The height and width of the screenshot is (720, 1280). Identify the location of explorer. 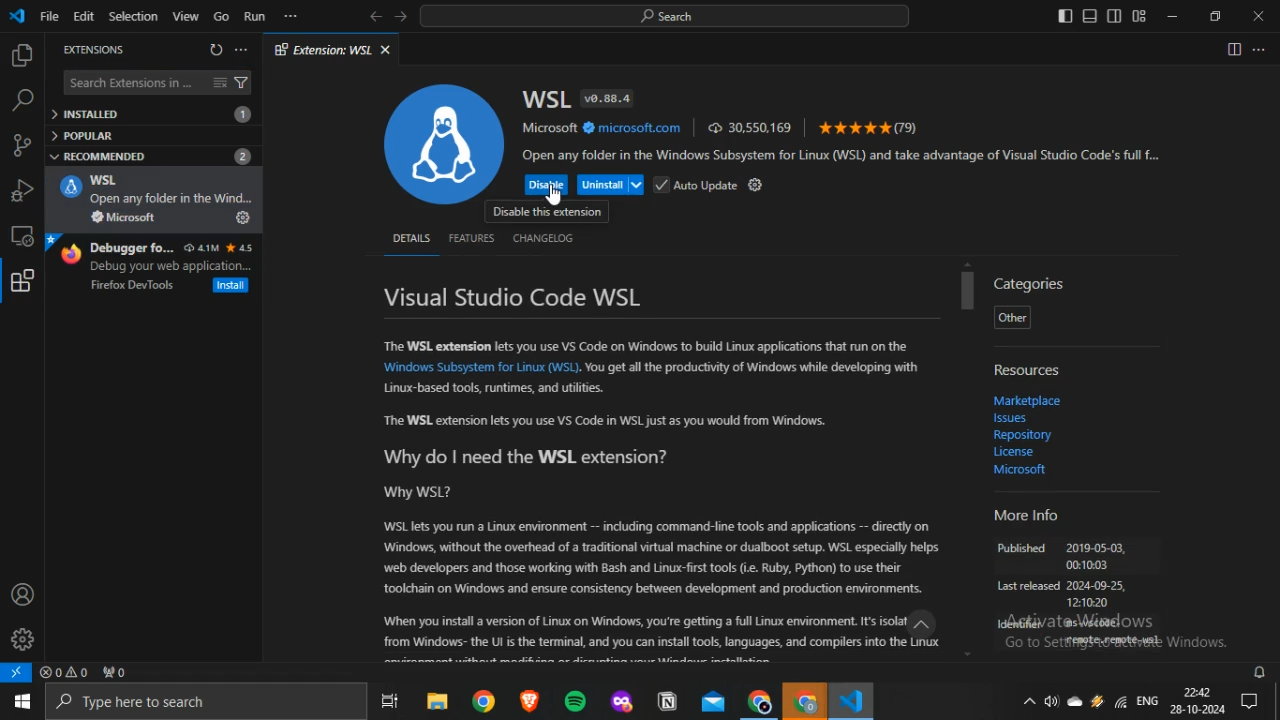
(21, 56).